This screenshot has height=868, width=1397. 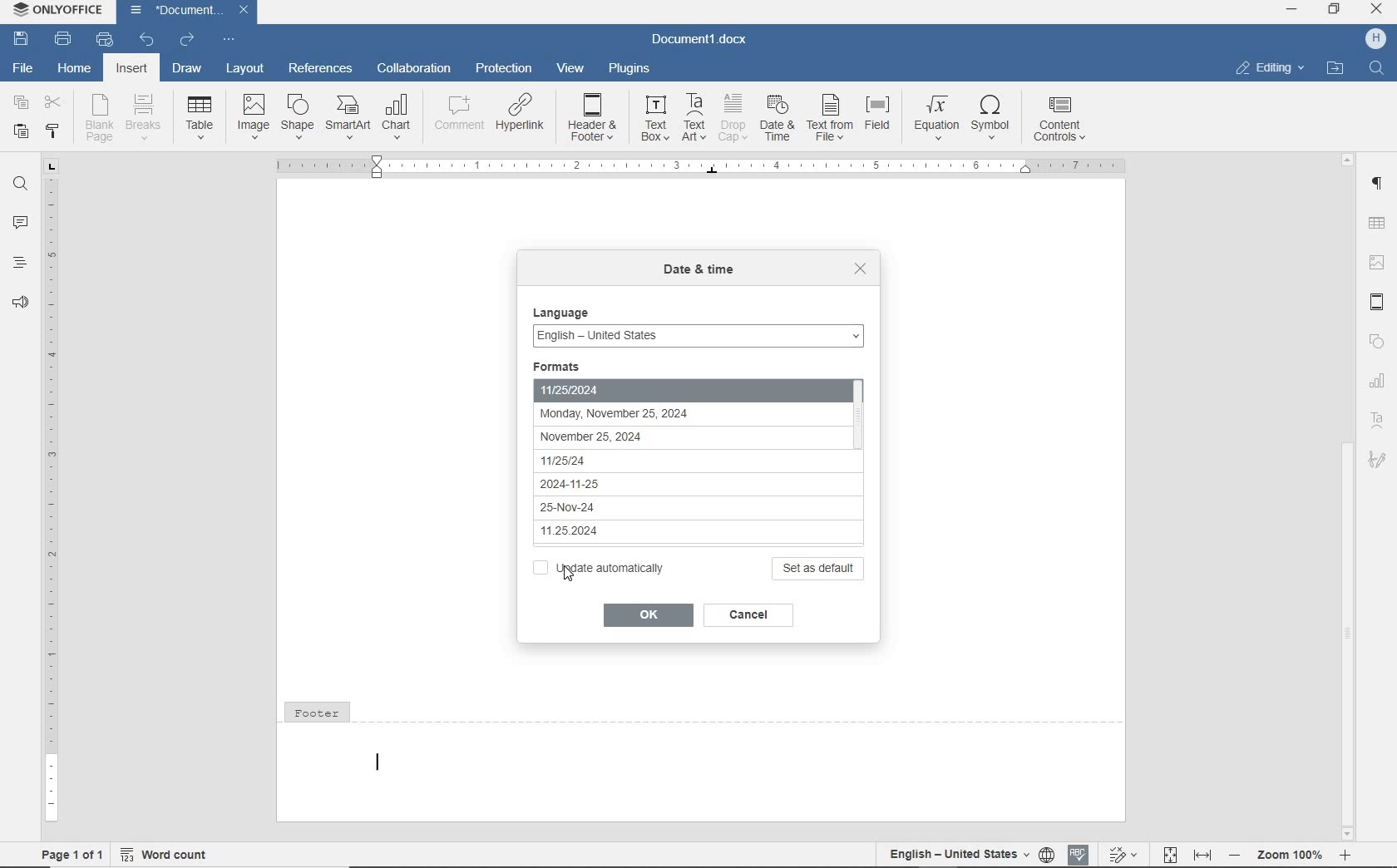 I want to click on November 25, 2024, so click(x=644, y=437).